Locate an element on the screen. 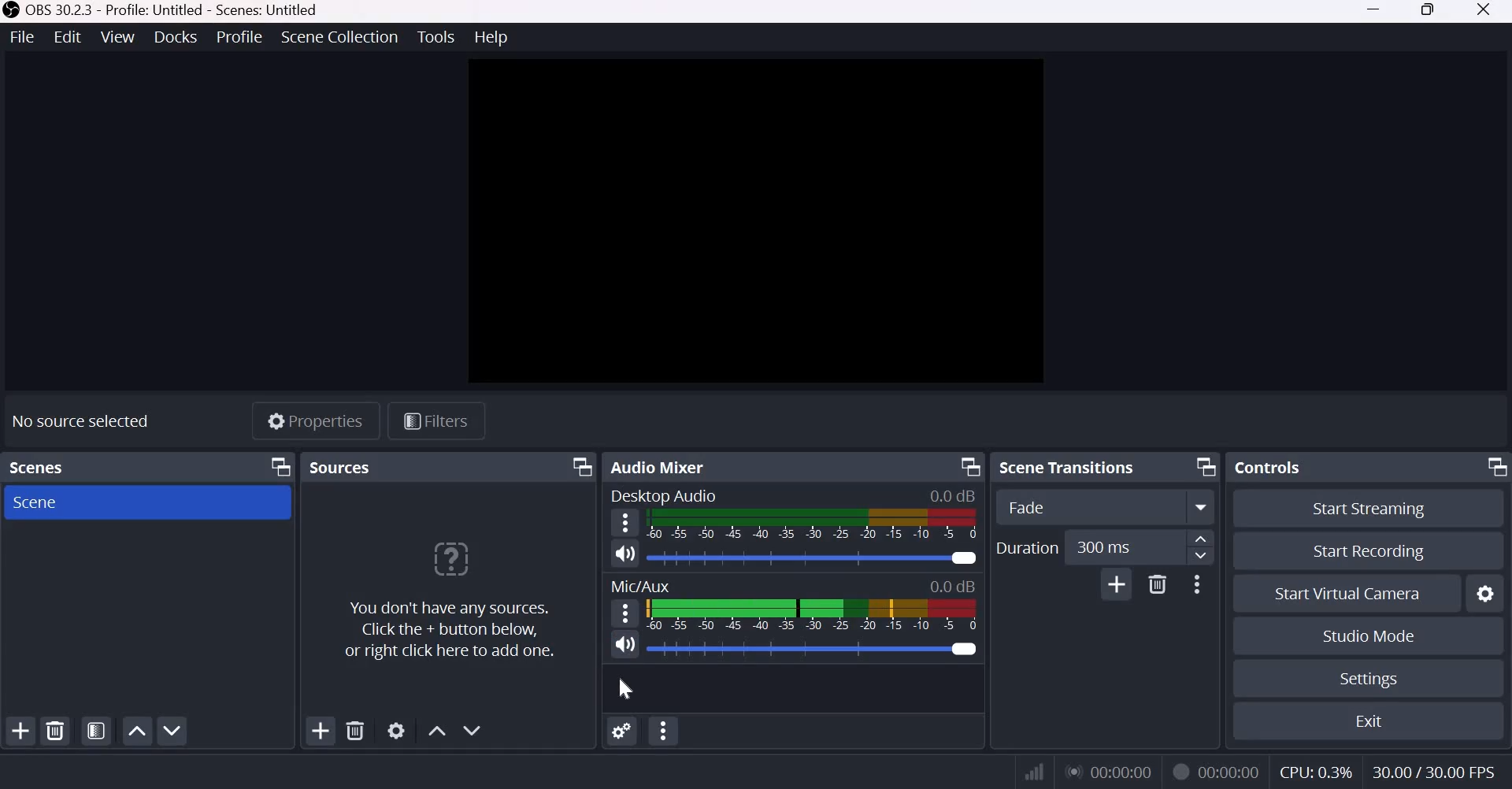 This screenshot has height=789, width=1512. 30.00/30.00 FPS is located at coordinates (1436, 770).